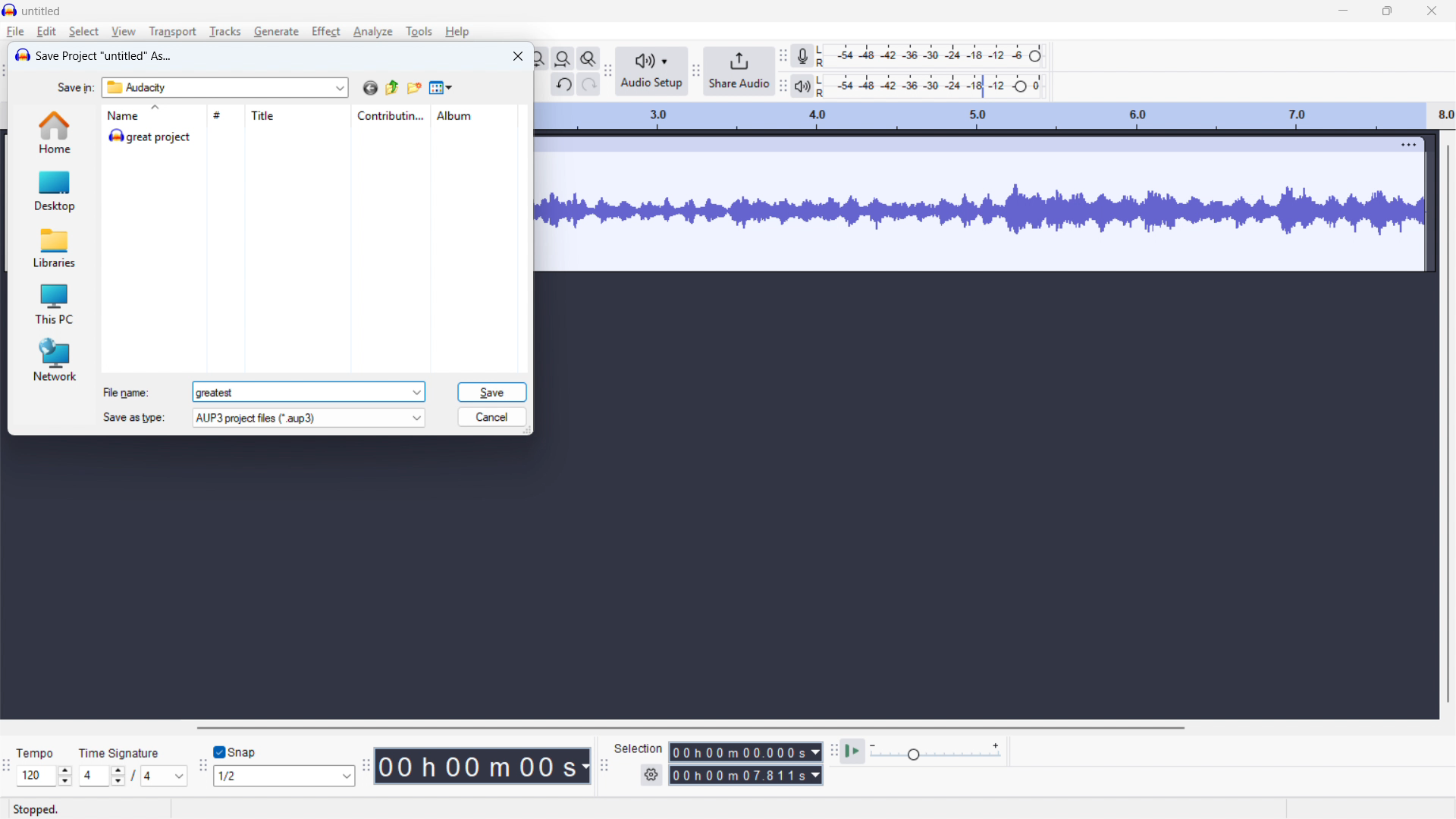 This screenshot has height=819, width=1456. Describe the element at coordinates (54, 190) in the screenshot. I see `desktop` at that location.